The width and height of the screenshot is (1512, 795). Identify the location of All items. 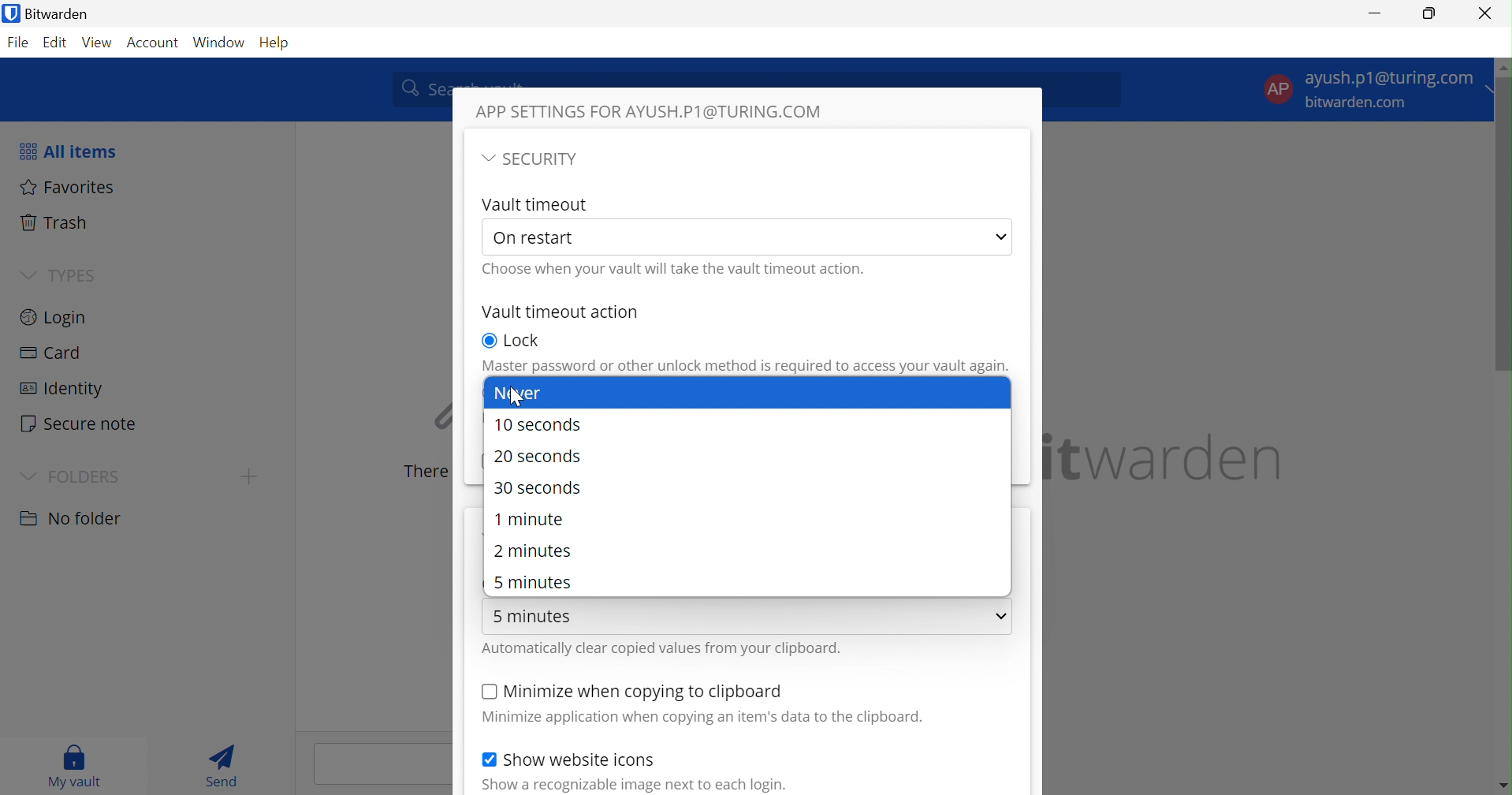
(70, 151).